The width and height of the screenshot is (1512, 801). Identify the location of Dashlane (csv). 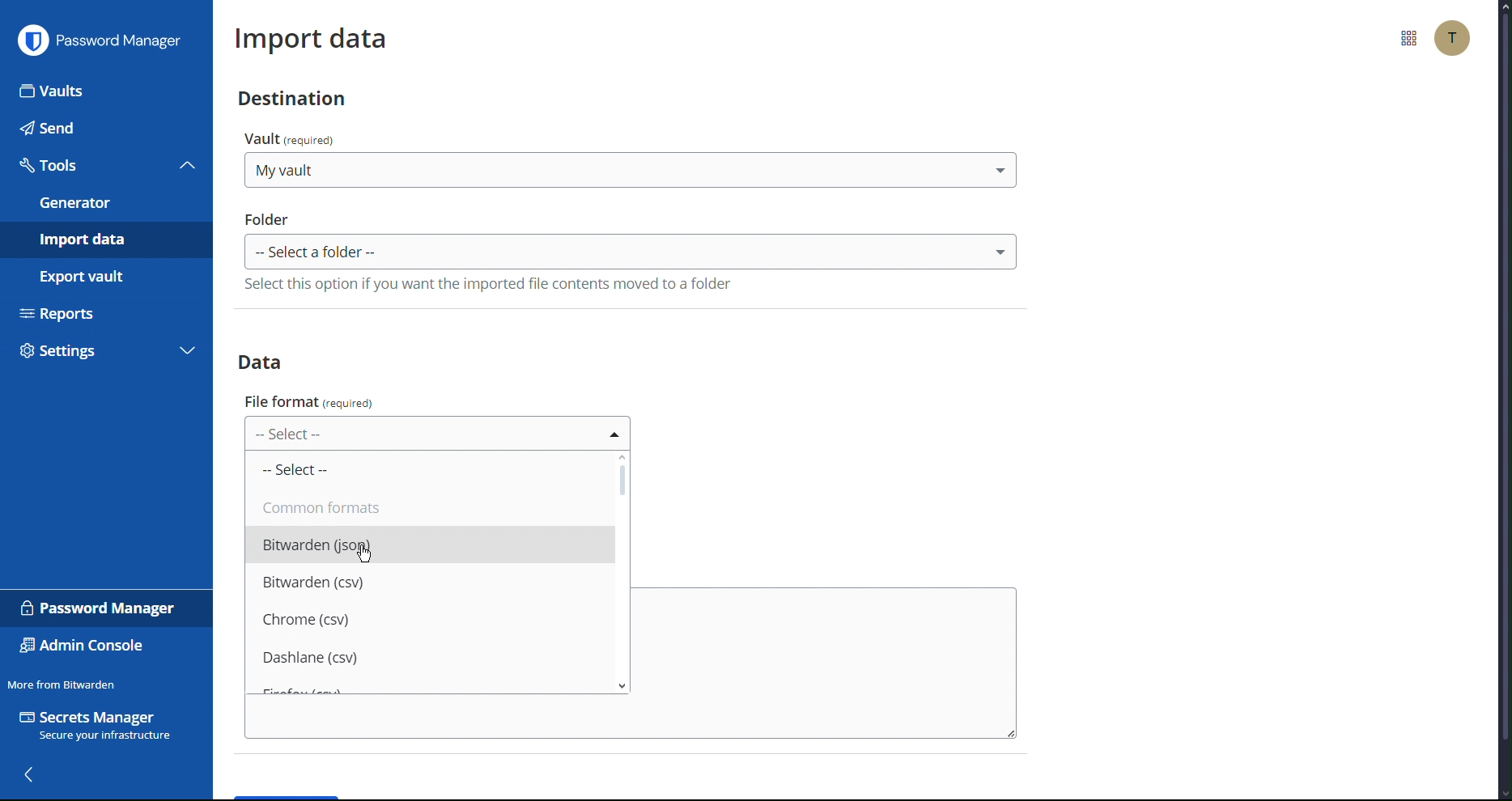
(426, 659).